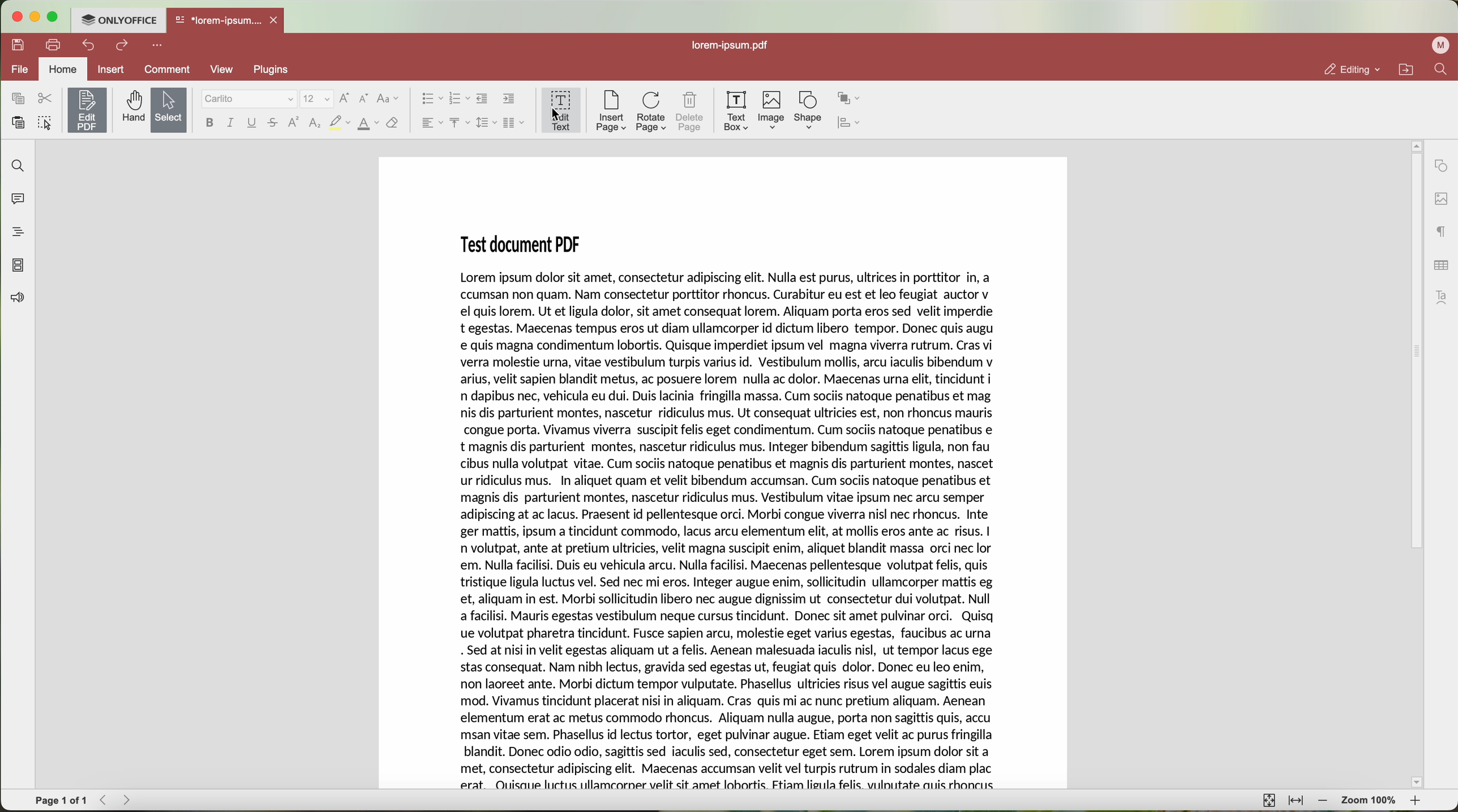 The width and height of the screenshot is (1458, 812). Describe the element at coordinates (46, 122) in the screenshot. I see `select all` at that location.